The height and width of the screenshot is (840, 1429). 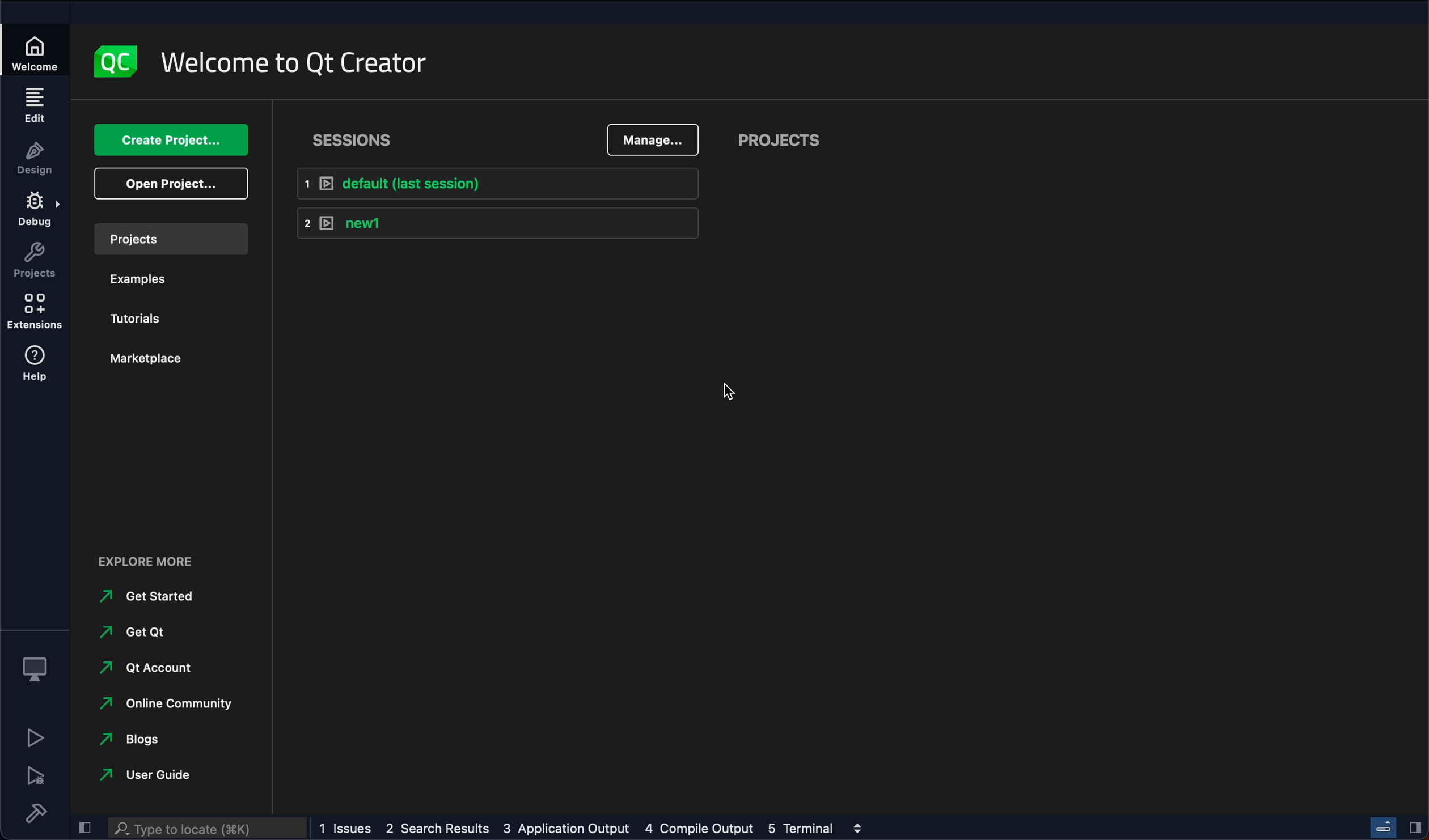 What do you see at coordinates (83, 830) in the screenshot?
I see `close slidebar` at bounding box center [83, 830].